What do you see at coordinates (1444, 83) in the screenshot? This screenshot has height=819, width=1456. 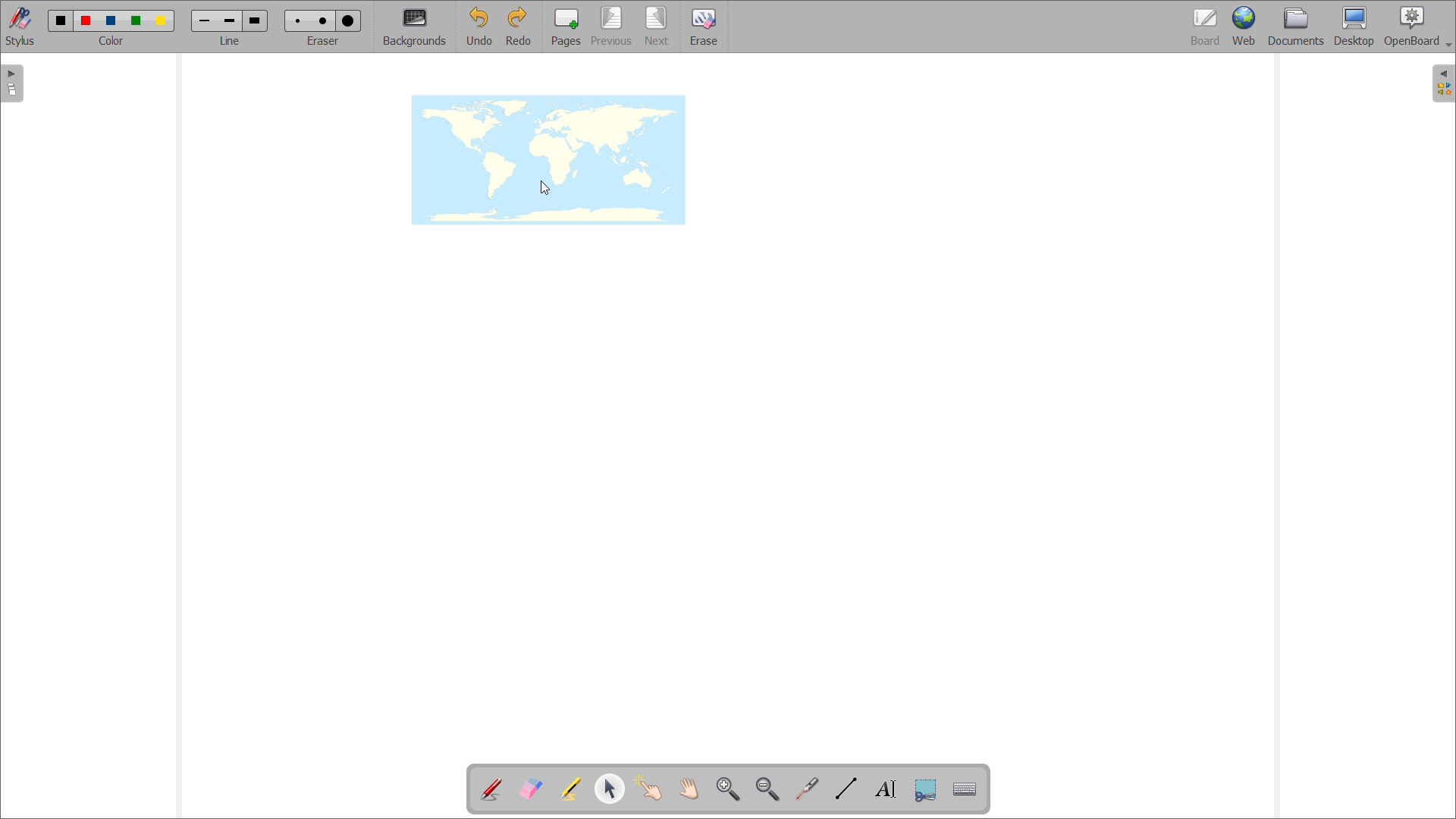 I see `open folder view` at bounding box center [1444, 83].